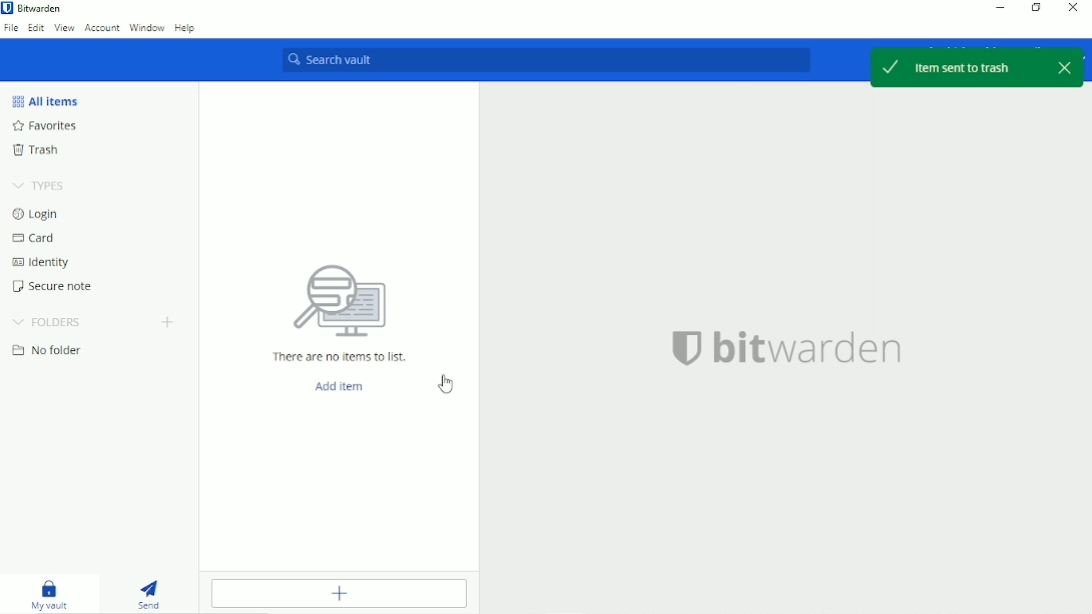 This screenshot has width=1092, height=614. Describe the element at coordinates (346, 300) in the screenshot. I see `search logo` at that location.